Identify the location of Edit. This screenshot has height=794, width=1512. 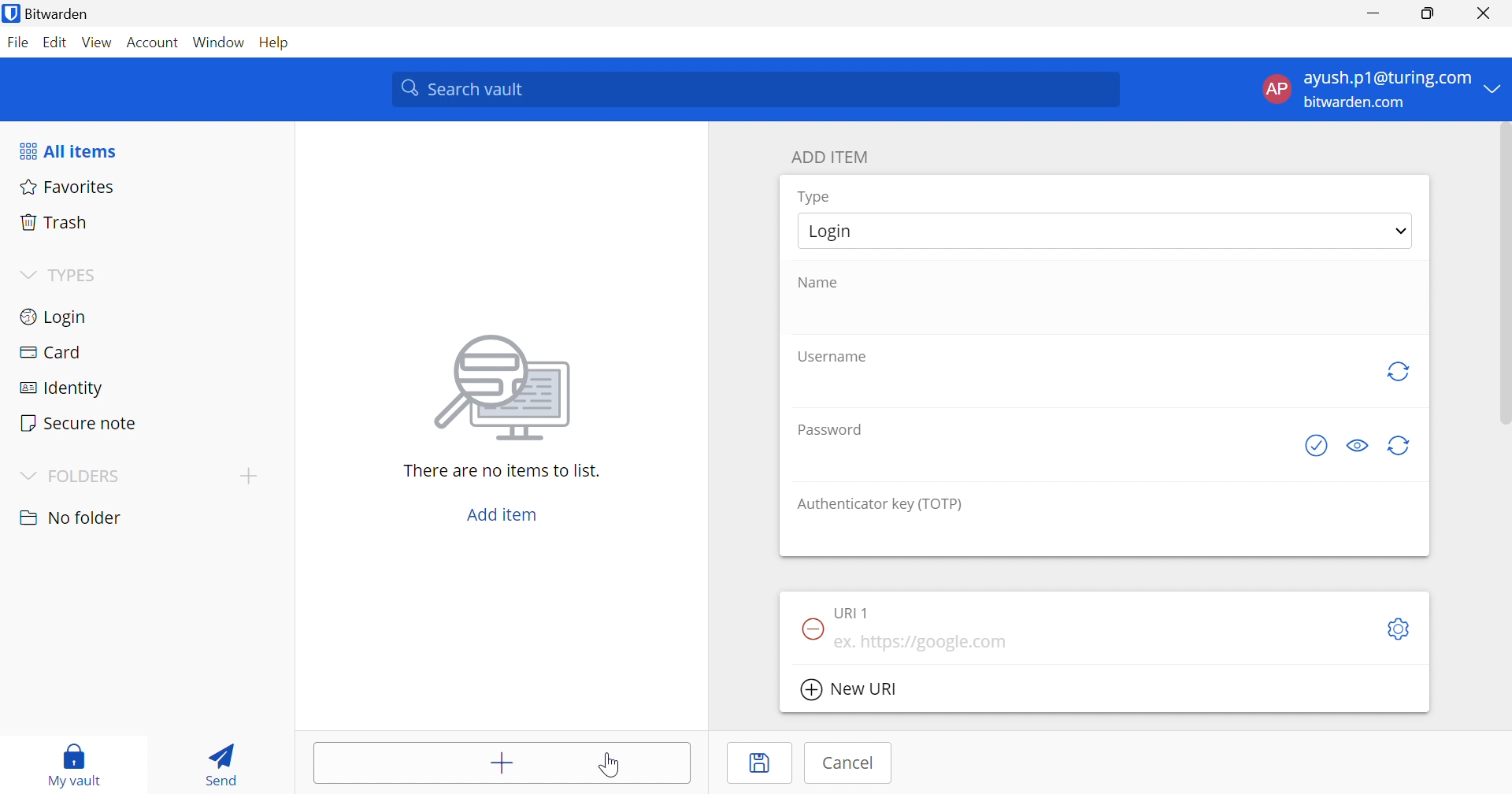
(57, 41).